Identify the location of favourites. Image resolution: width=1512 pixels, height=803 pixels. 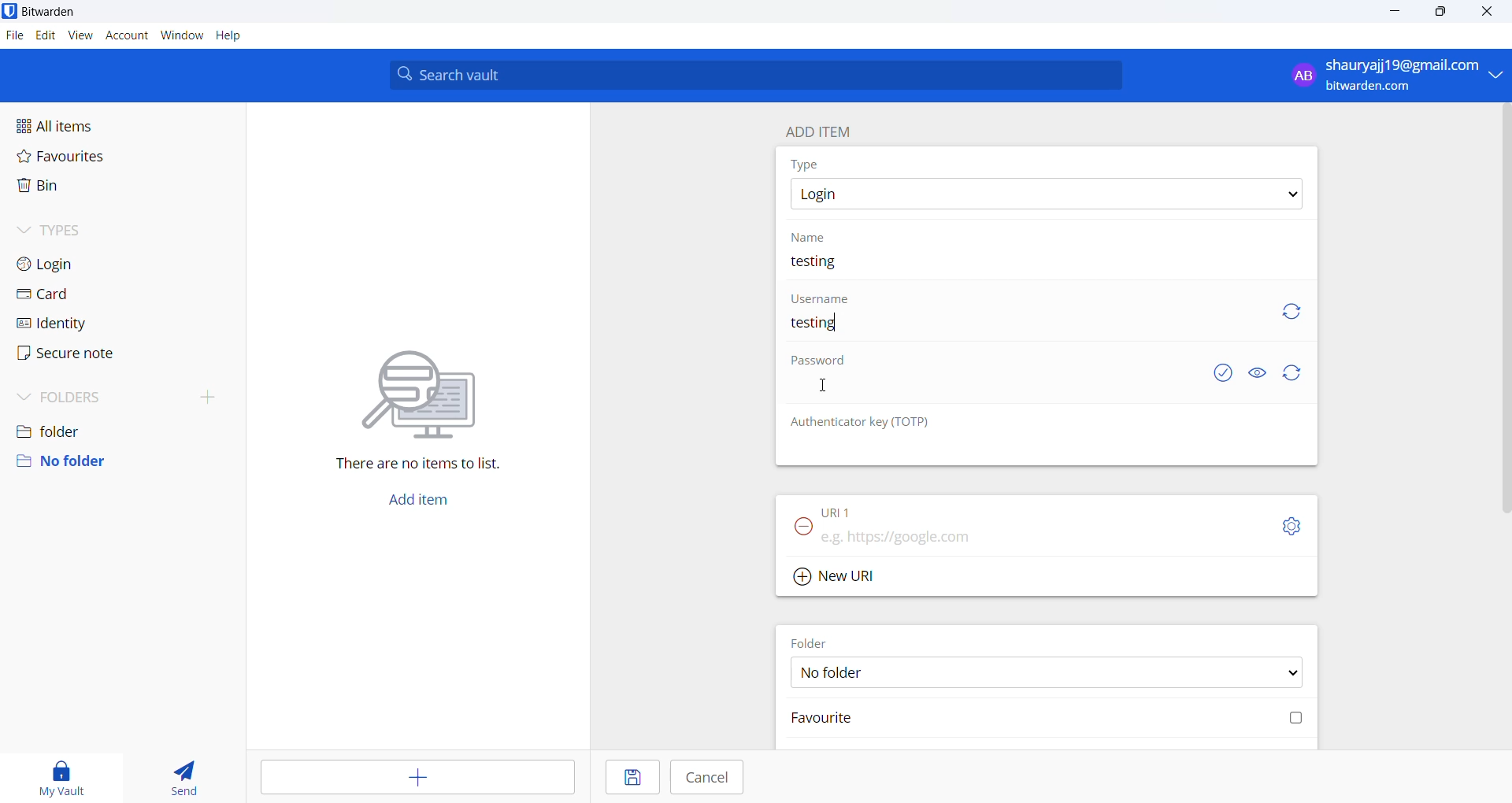
(89, 156).